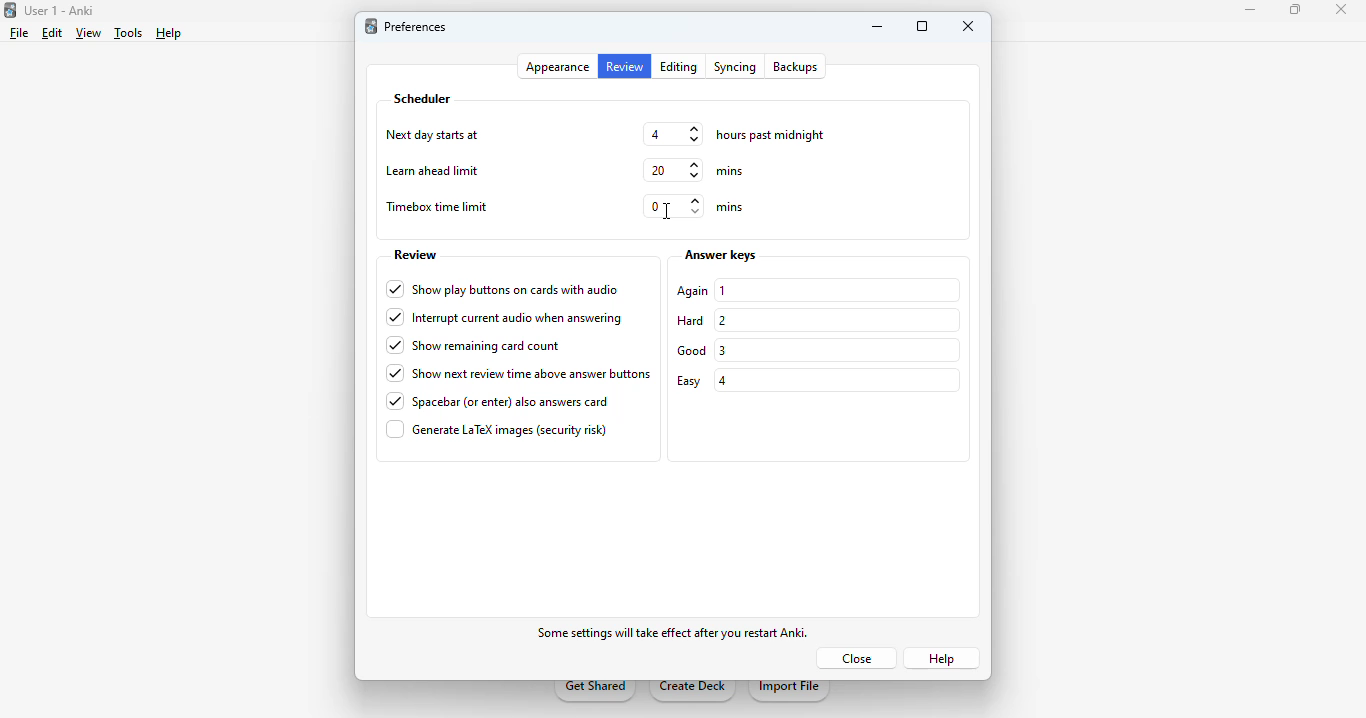  Describe the element at coordinates (168, 33) in the screenshot. I see `help` at that location.